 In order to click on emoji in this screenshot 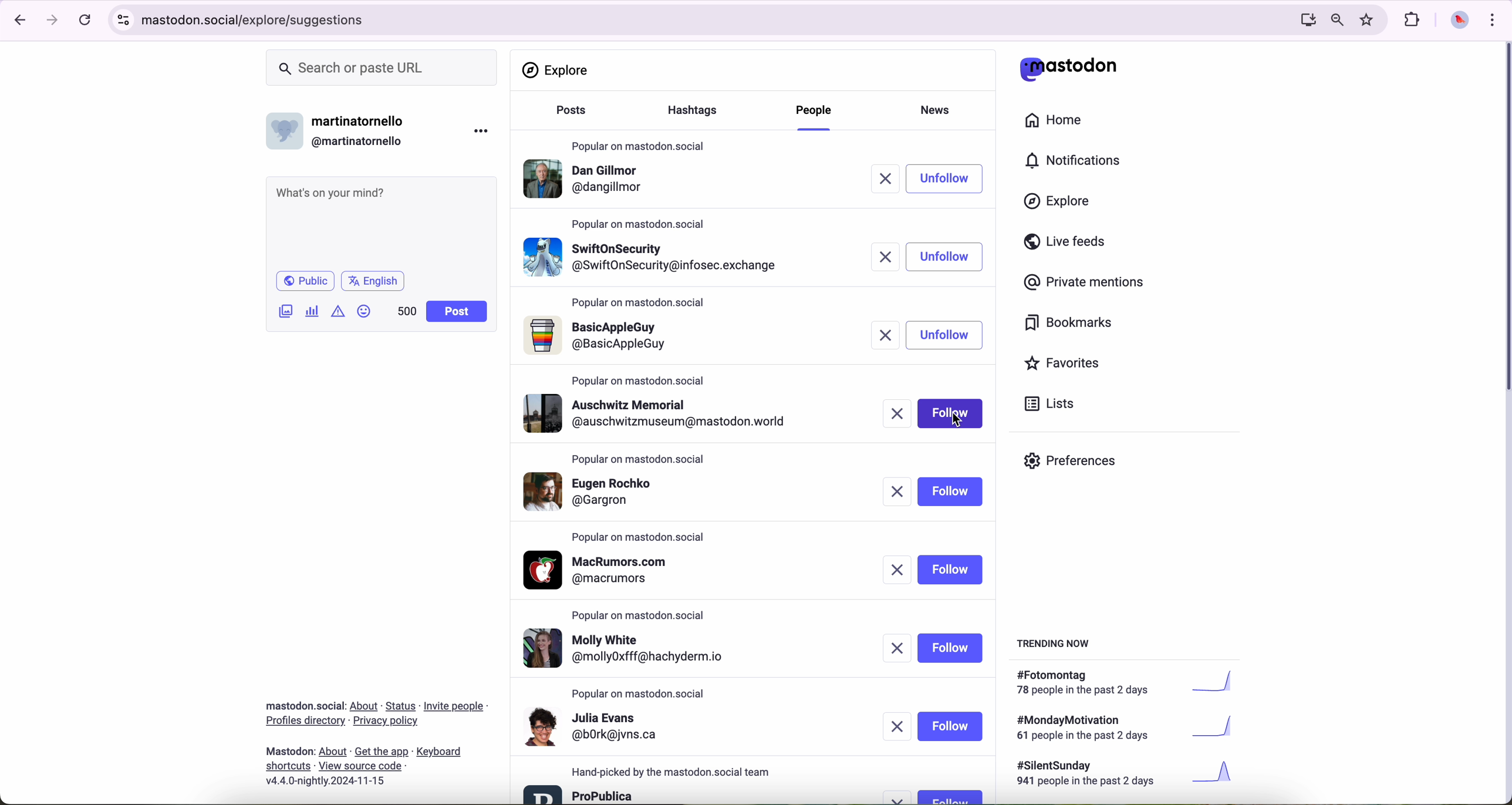, I will do `click(365, 311)`.